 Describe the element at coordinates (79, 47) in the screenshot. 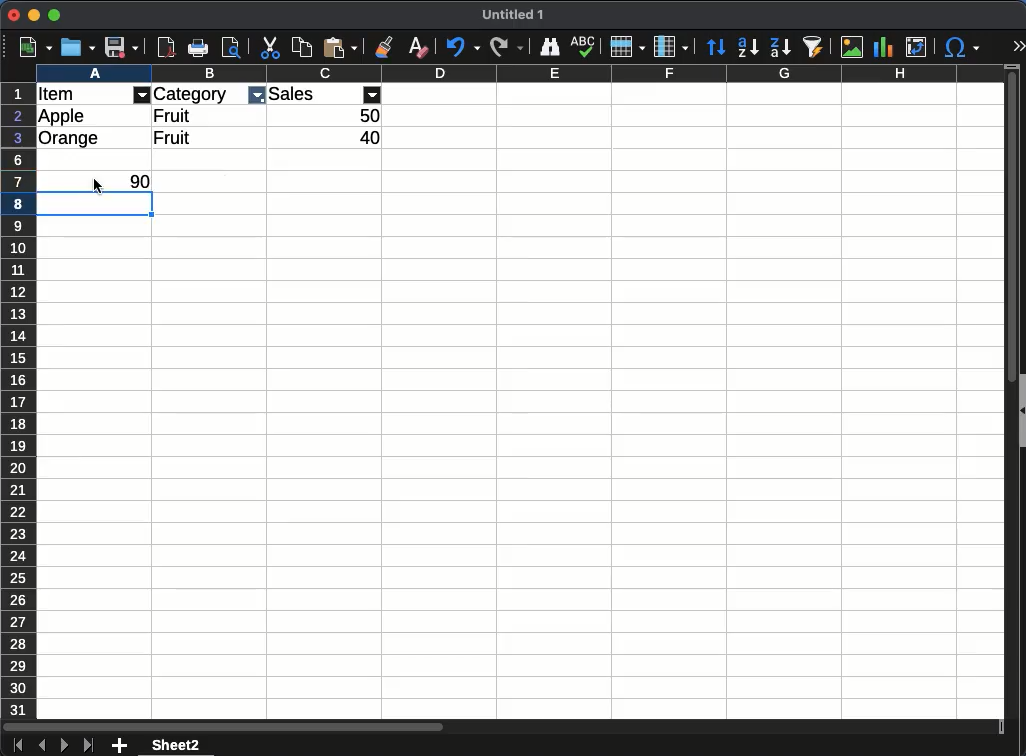

I see `open` at that location.